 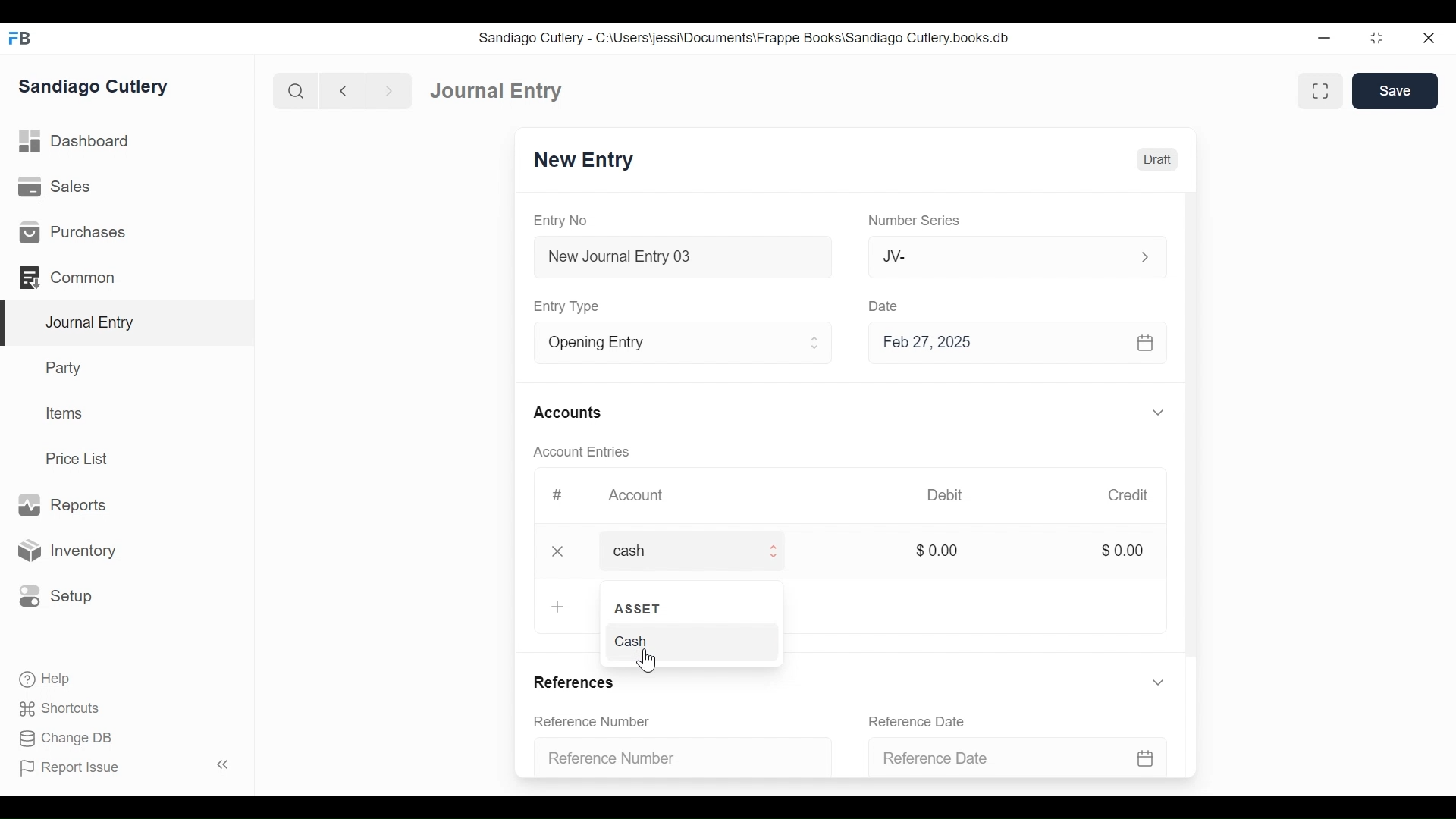 I want to click on Vertical Scroll bar, so click(x=1193, y=439).